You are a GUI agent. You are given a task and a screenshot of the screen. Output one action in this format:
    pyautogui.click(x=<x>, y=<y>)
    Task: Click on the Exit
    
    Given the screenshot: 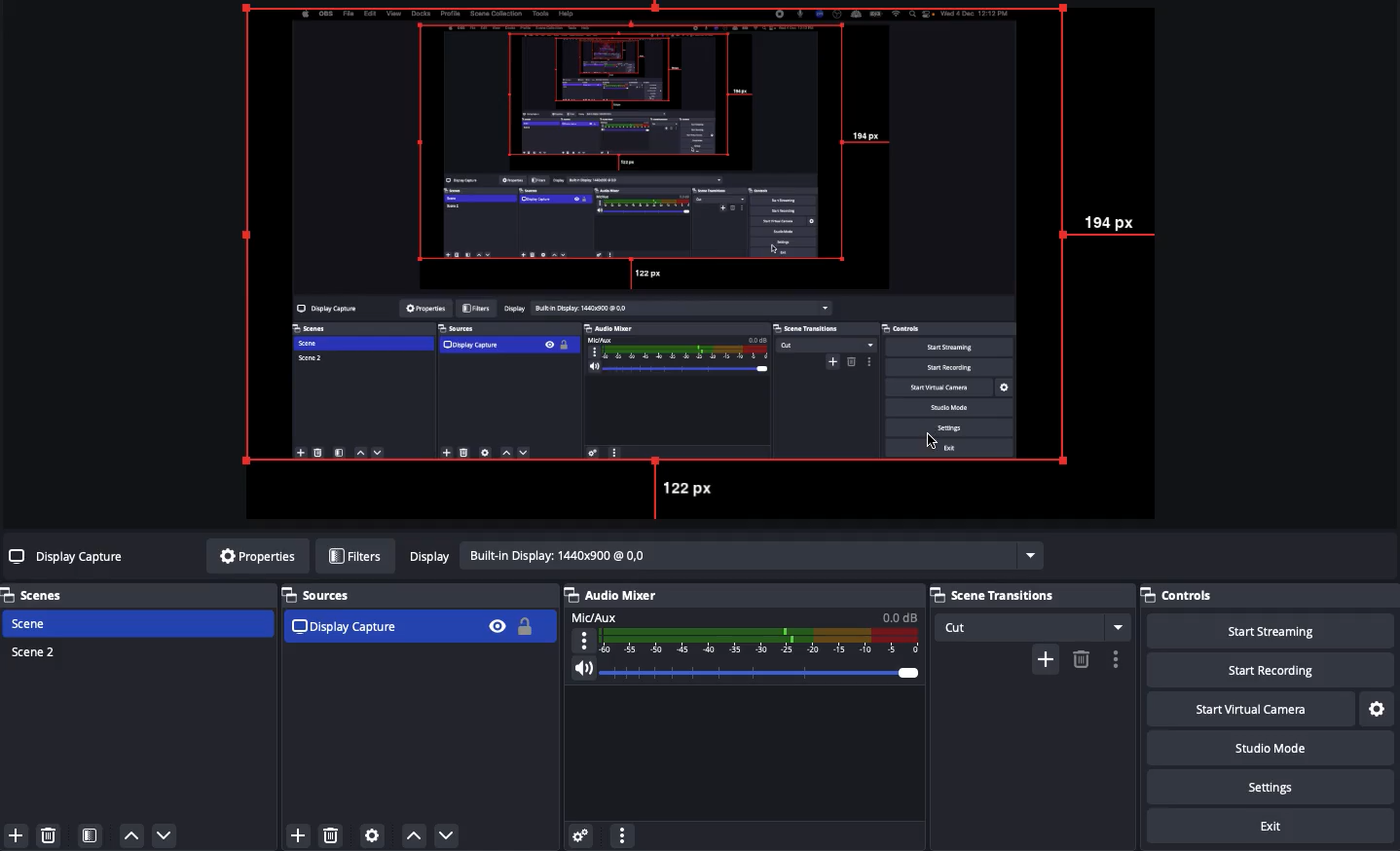 What is the action you would take?
    pyautogui.click(x=1273, y=828)
    